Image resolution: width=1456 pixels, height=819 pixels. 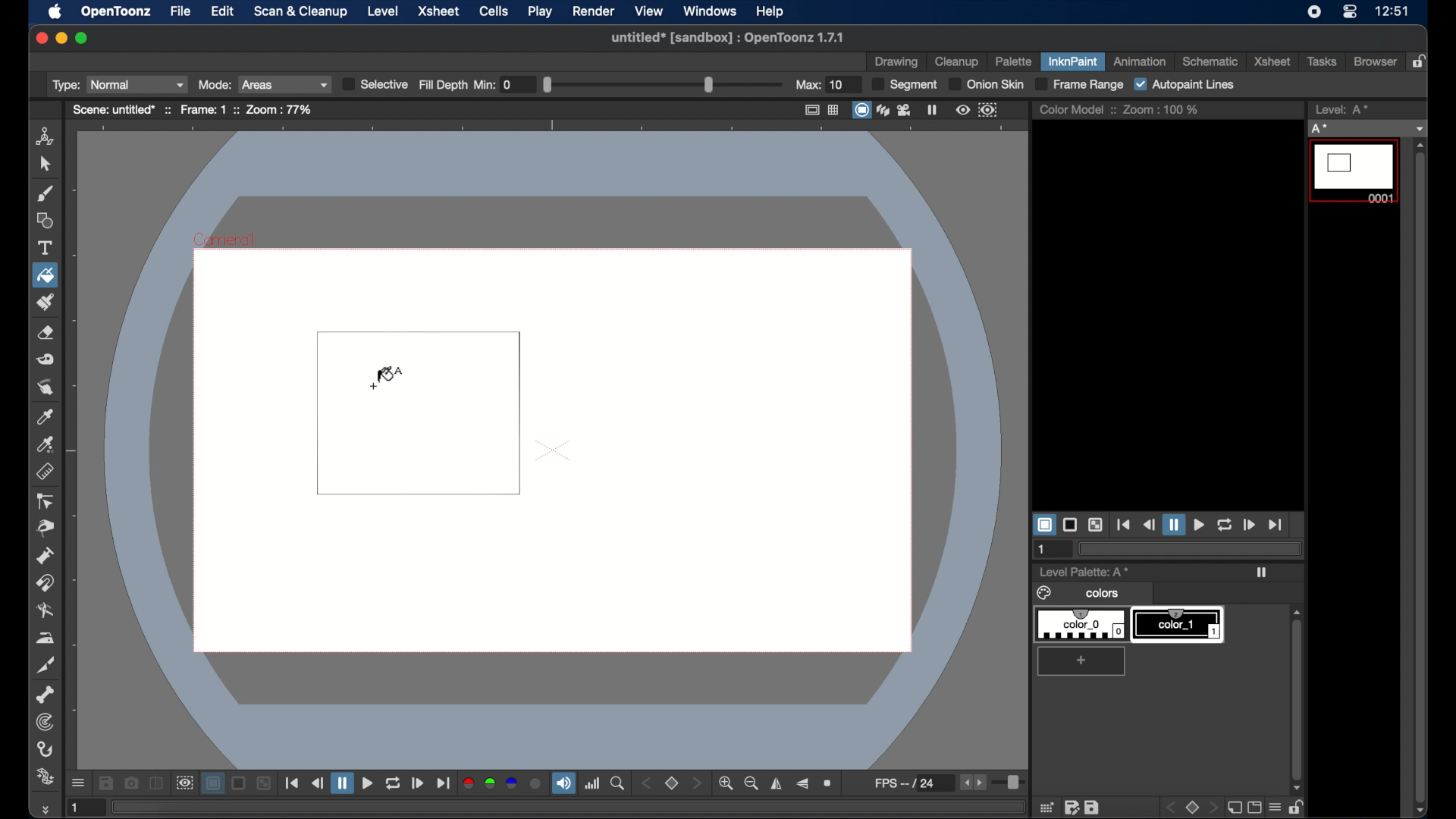 What do you see at coordinates (468, 783) in the screenshot?
I see `red channel` at bounding box center [468, 783].